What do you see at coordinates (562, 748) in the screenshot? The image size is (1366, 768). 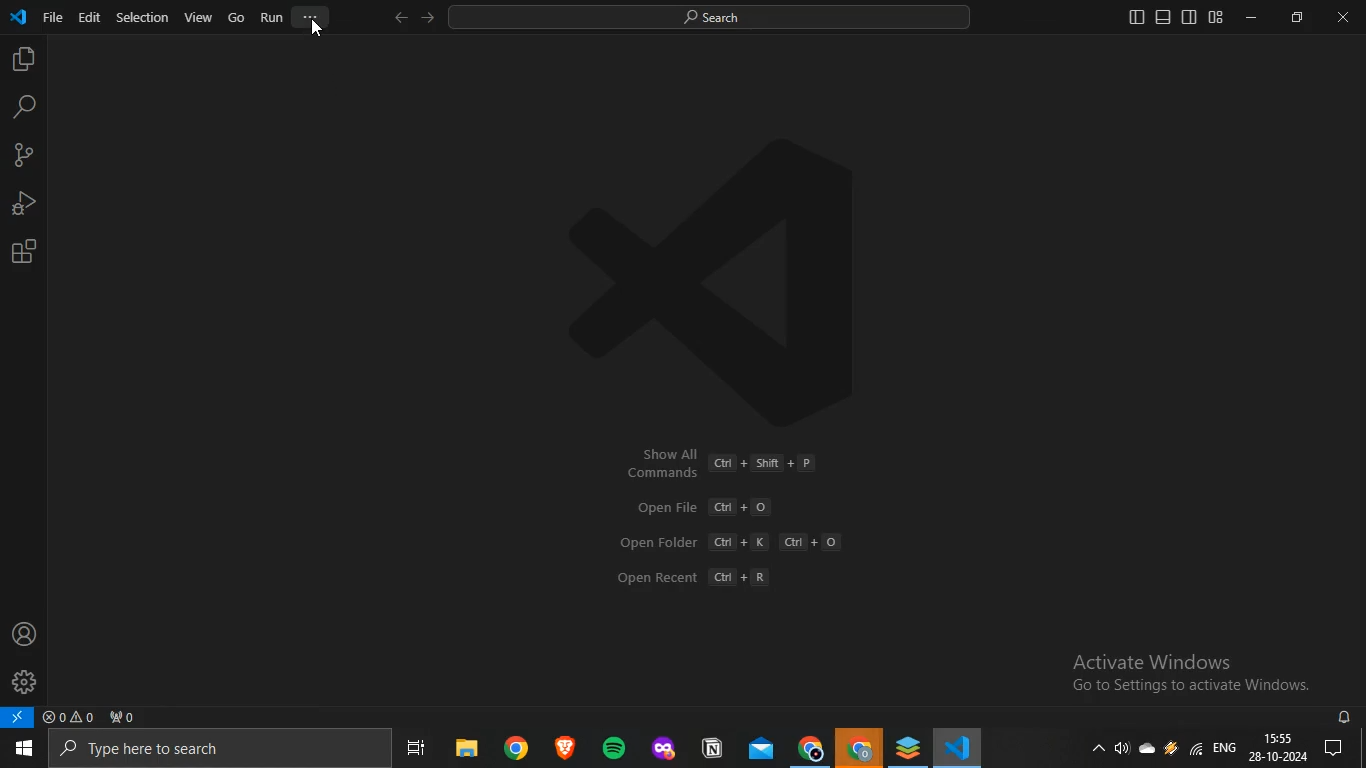 I see `brave` at bounding box center [562, 748].